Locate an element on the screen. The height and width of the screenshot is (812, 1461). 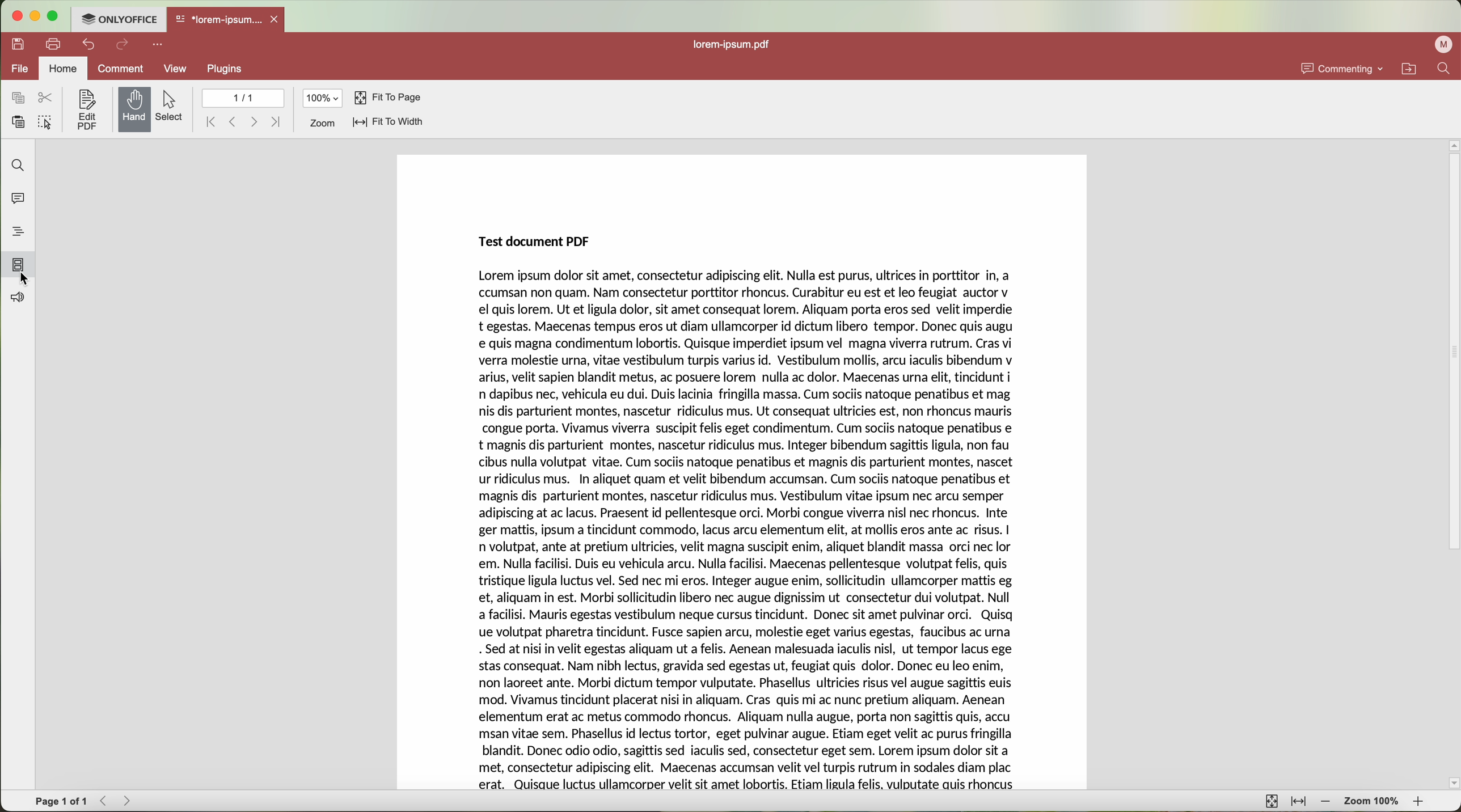
lorem-ipsum.pdf is located at coordinates (734, 44).